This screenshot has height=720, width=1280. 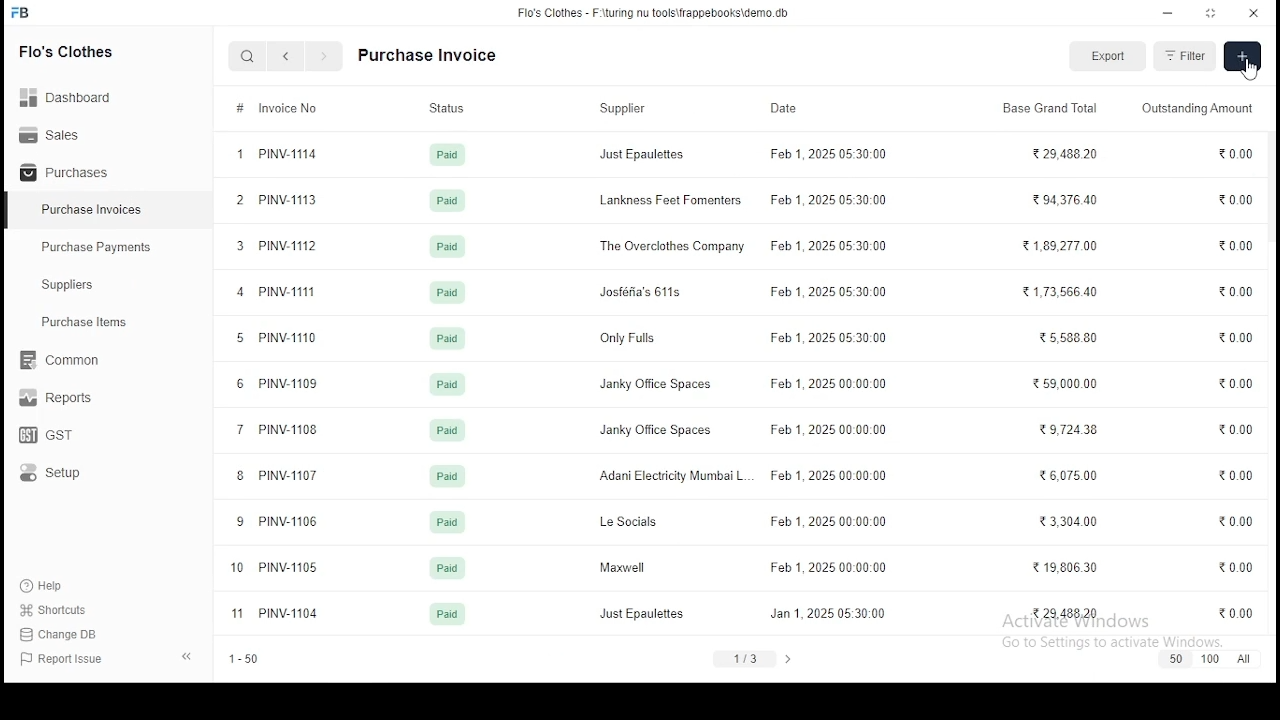 I want to click on supplier, so click(x=626, y=110).